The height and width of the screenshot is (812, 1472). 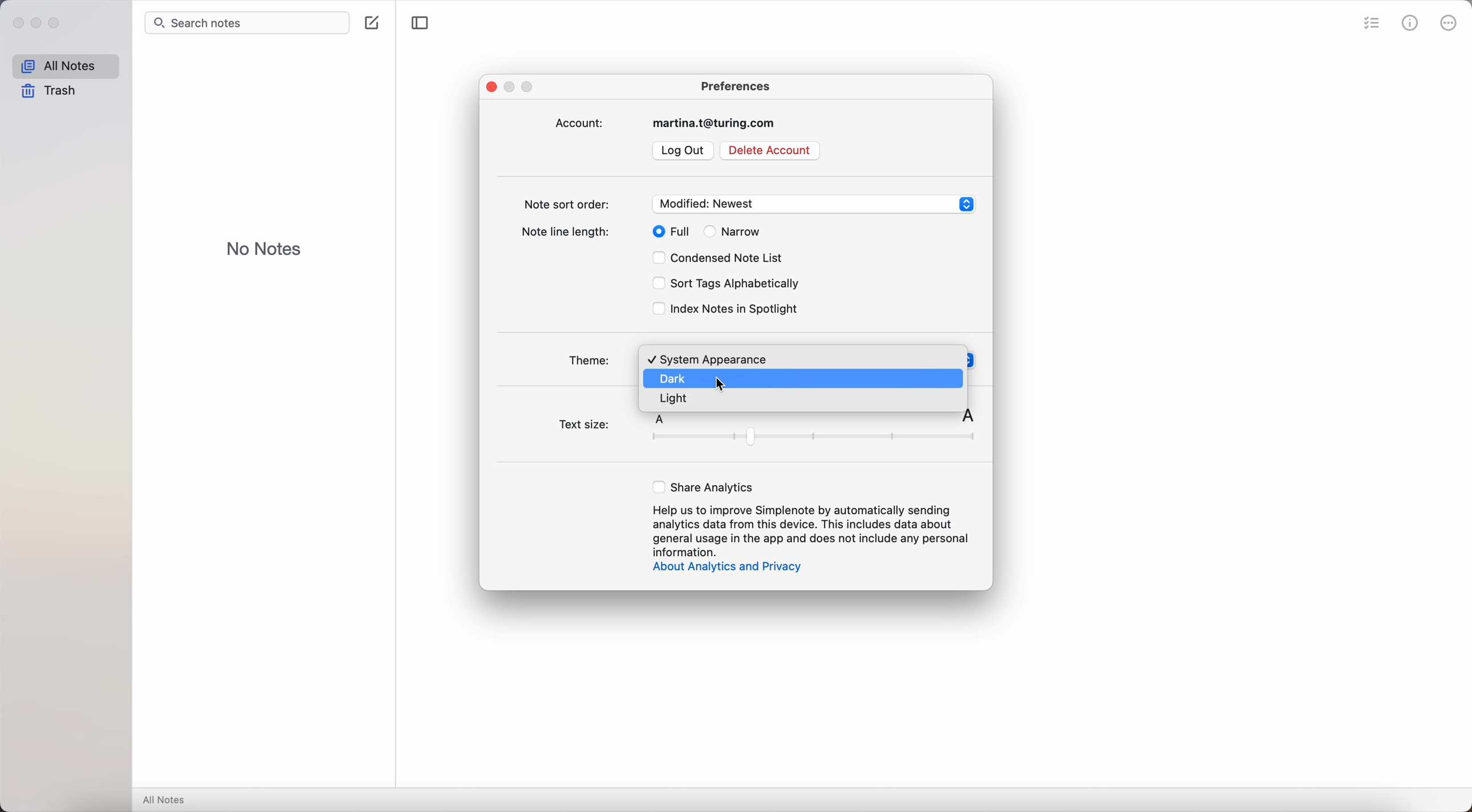 I want to click on system appearance, so click(x=709, y=358).